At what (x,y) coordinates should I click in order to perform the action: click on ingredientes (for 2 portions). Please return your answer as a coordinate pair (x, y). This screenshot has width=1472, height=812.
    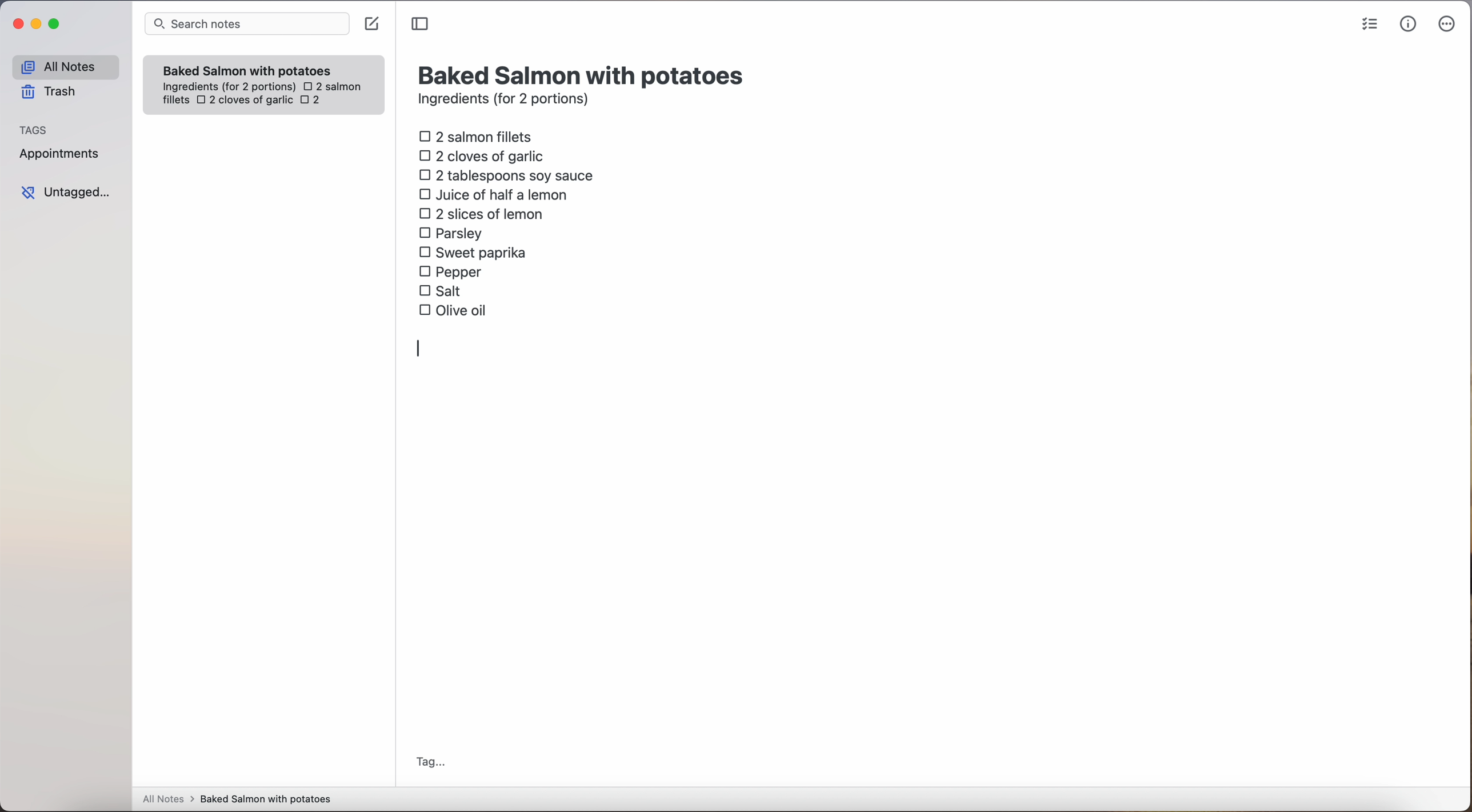
    Looking at the image, I should click on (227, 87).